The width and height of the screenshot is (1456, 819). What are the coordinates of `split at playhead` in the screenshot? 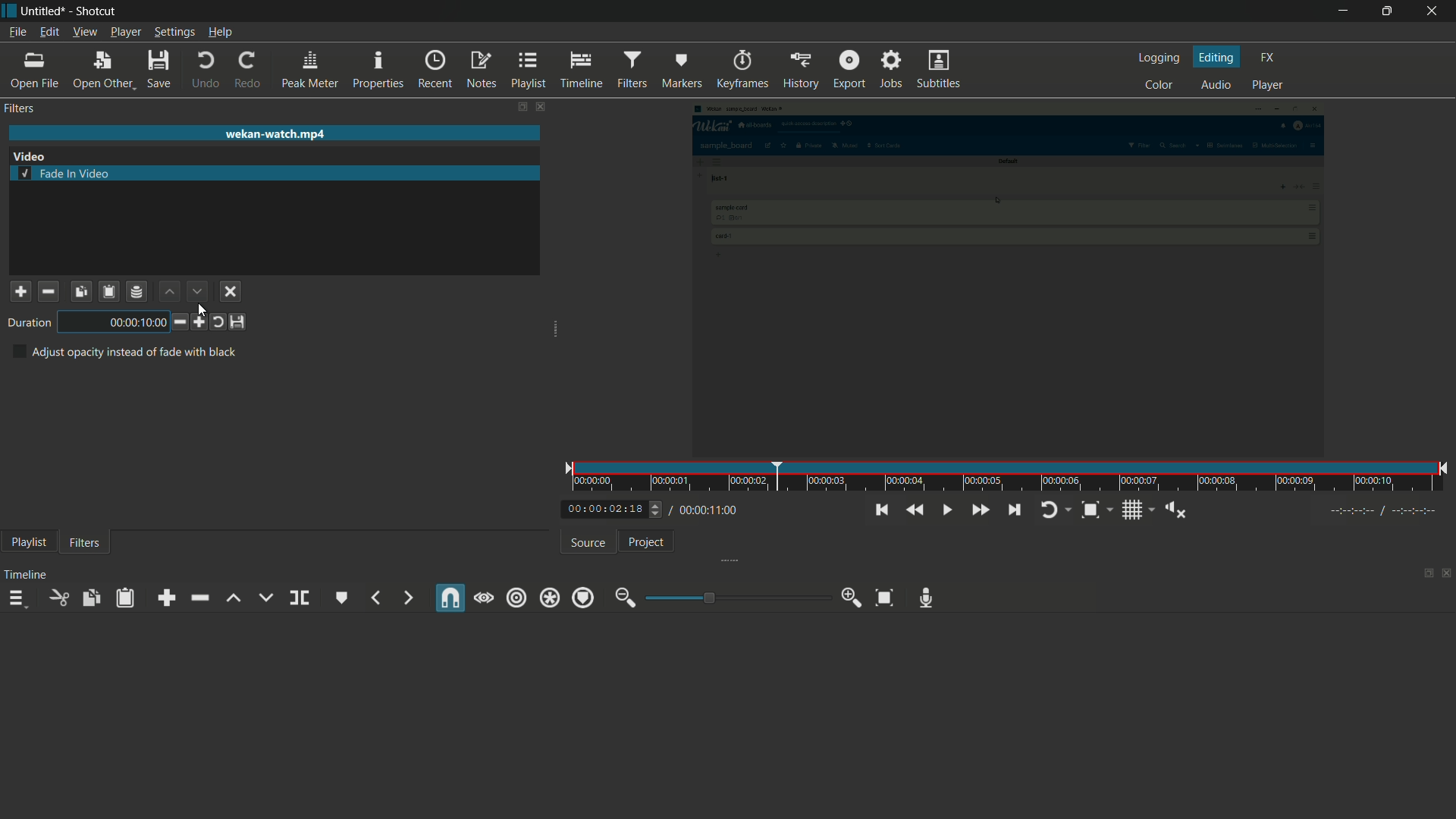 It's located at (300, 598).